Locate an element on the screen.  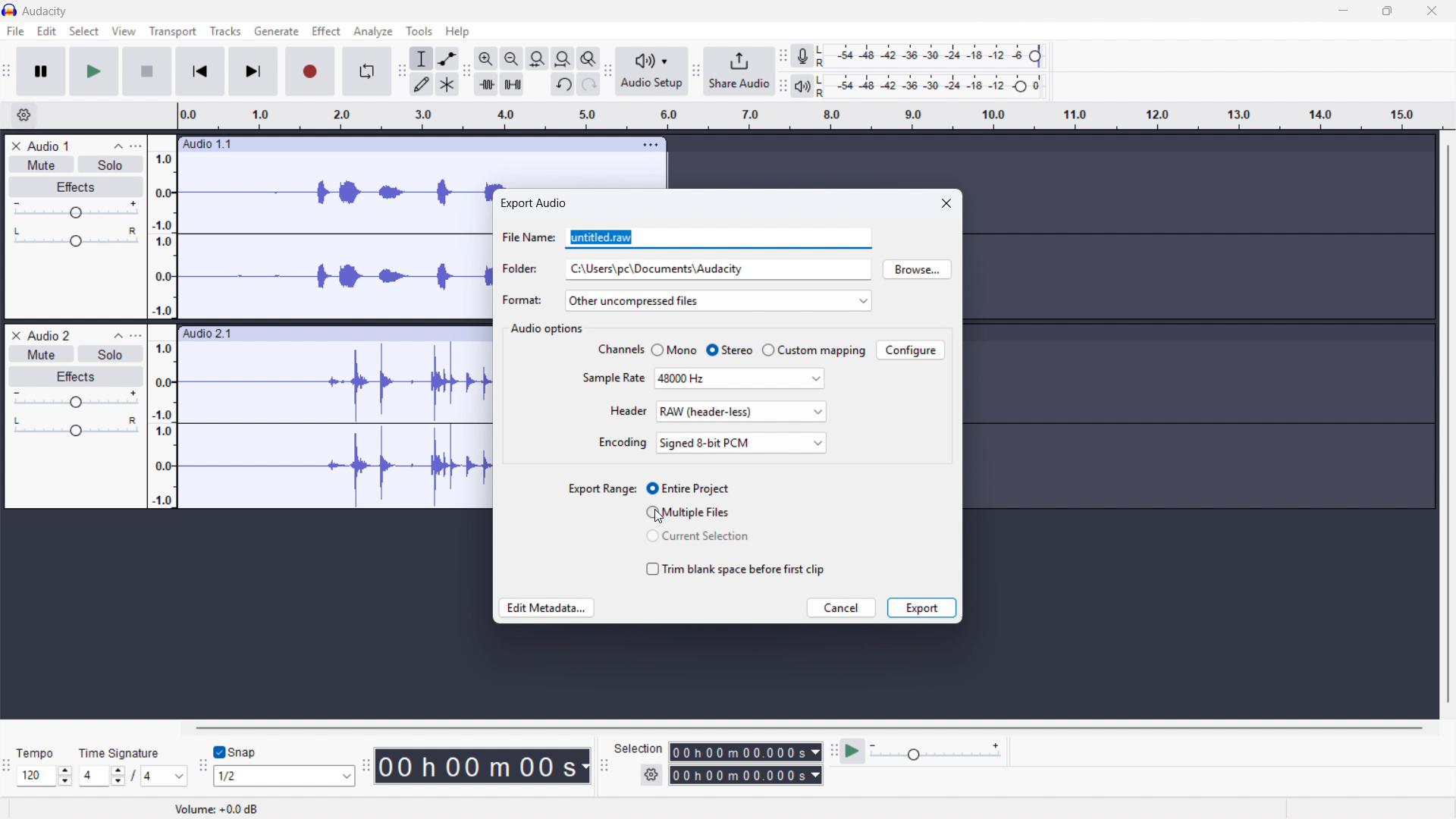
Pause is located at coordinates (41, 71).